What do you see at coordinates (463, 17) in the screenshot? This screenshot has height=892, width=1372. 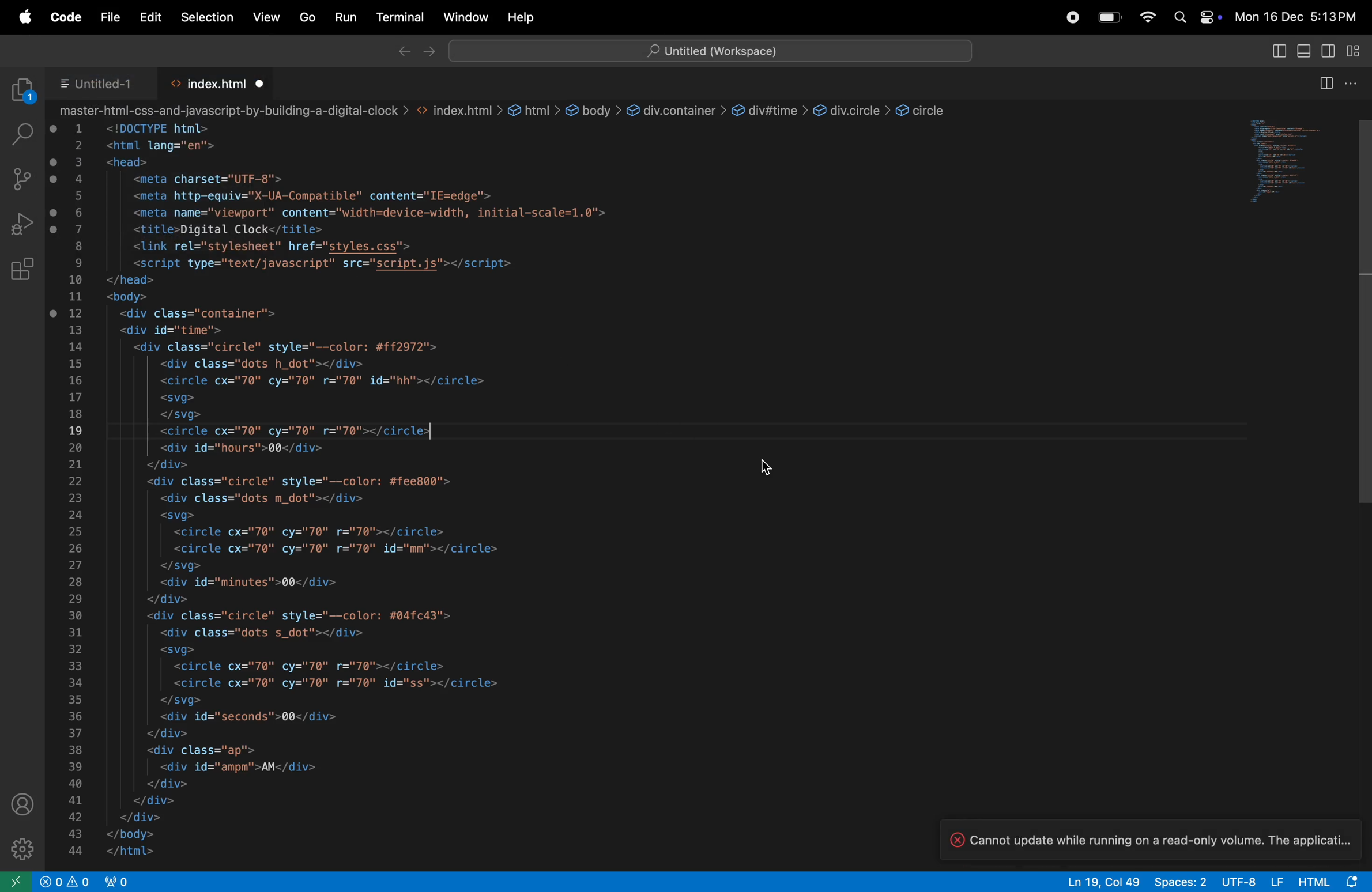 I see `window` at bounding box center [463, 17].